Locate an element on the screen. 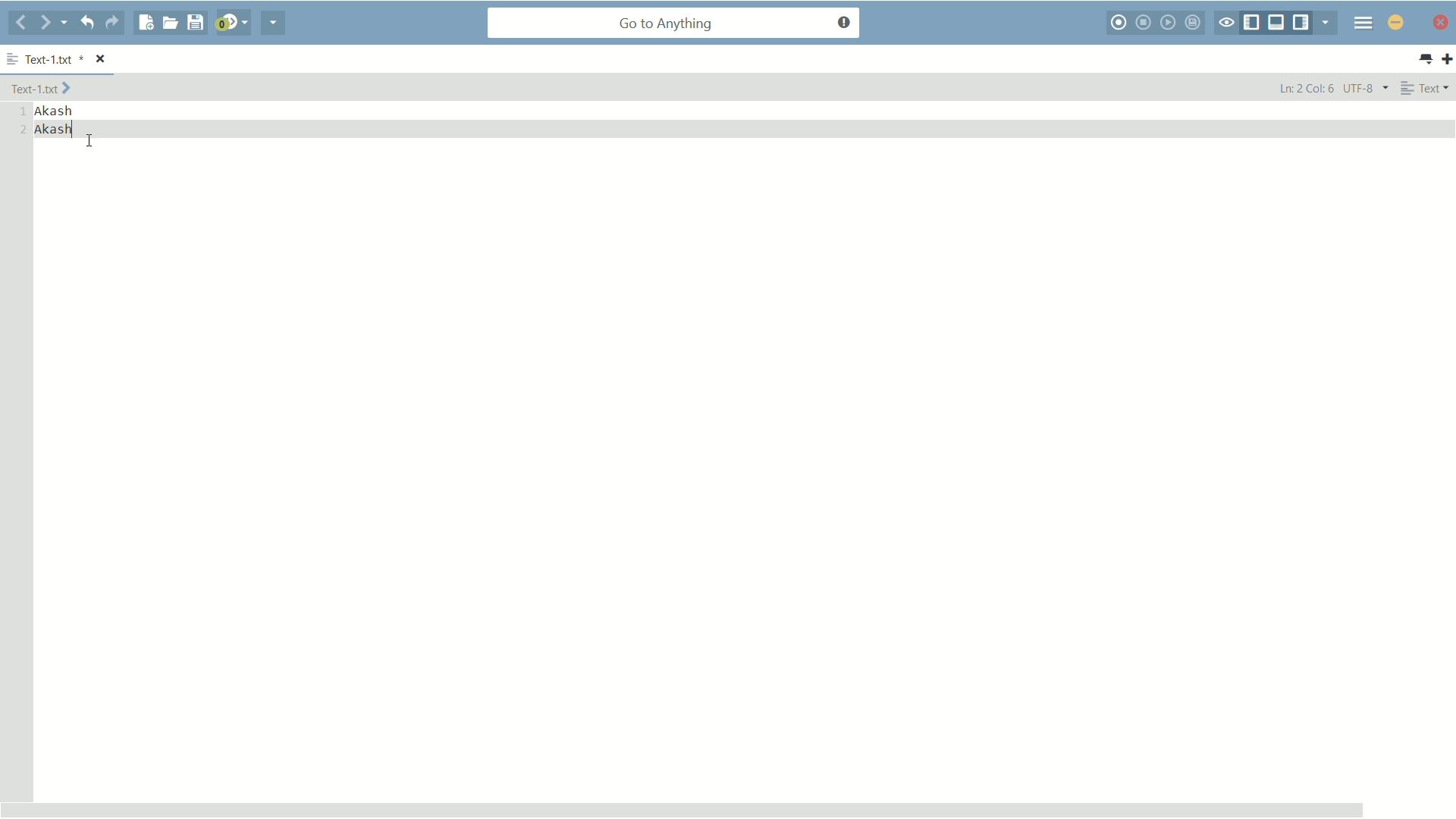 The height and width of the screenshot is (819, 1456). close app is located at coordinates (1442, 23).